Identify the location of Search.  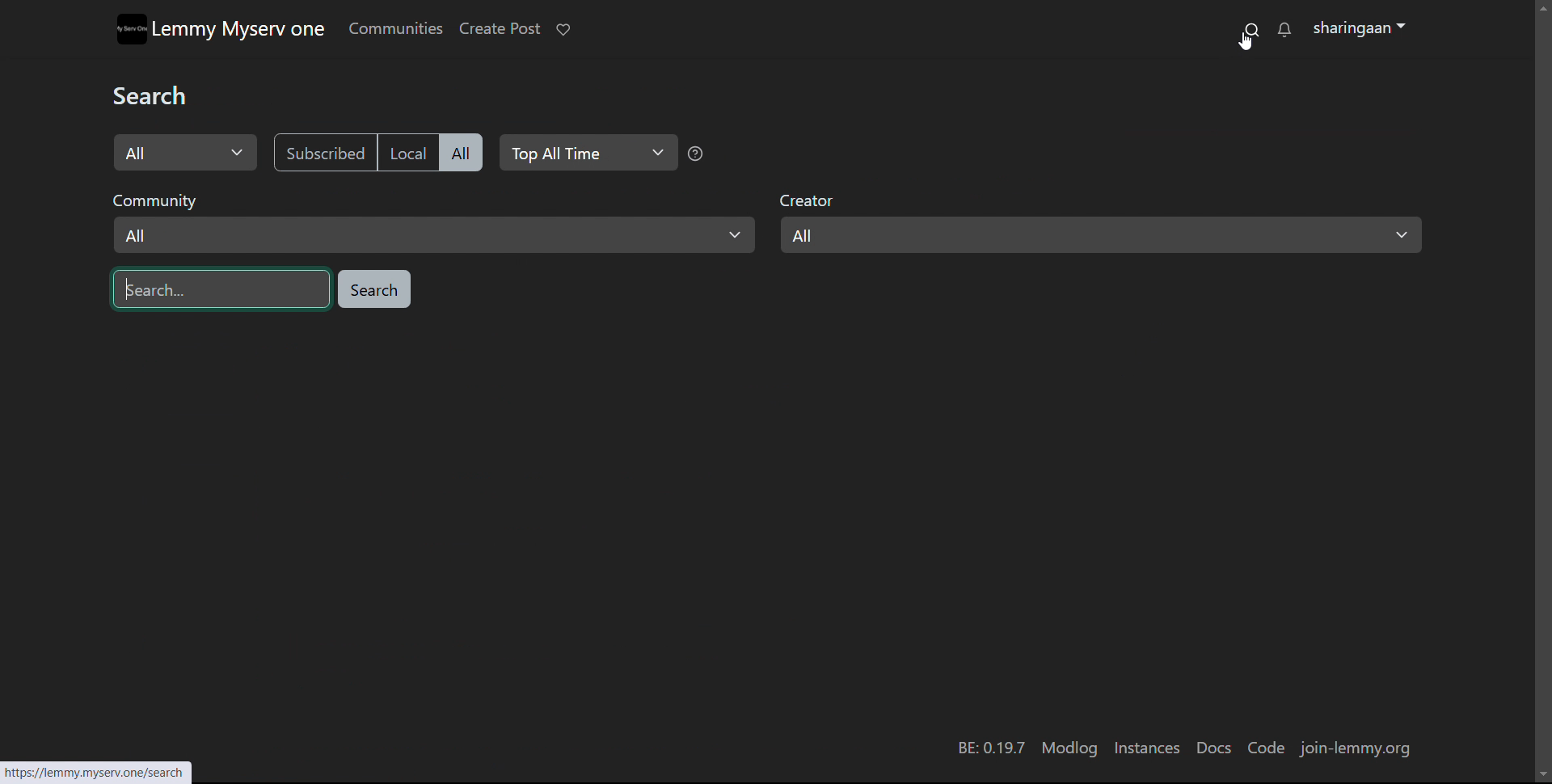
(160, 95).